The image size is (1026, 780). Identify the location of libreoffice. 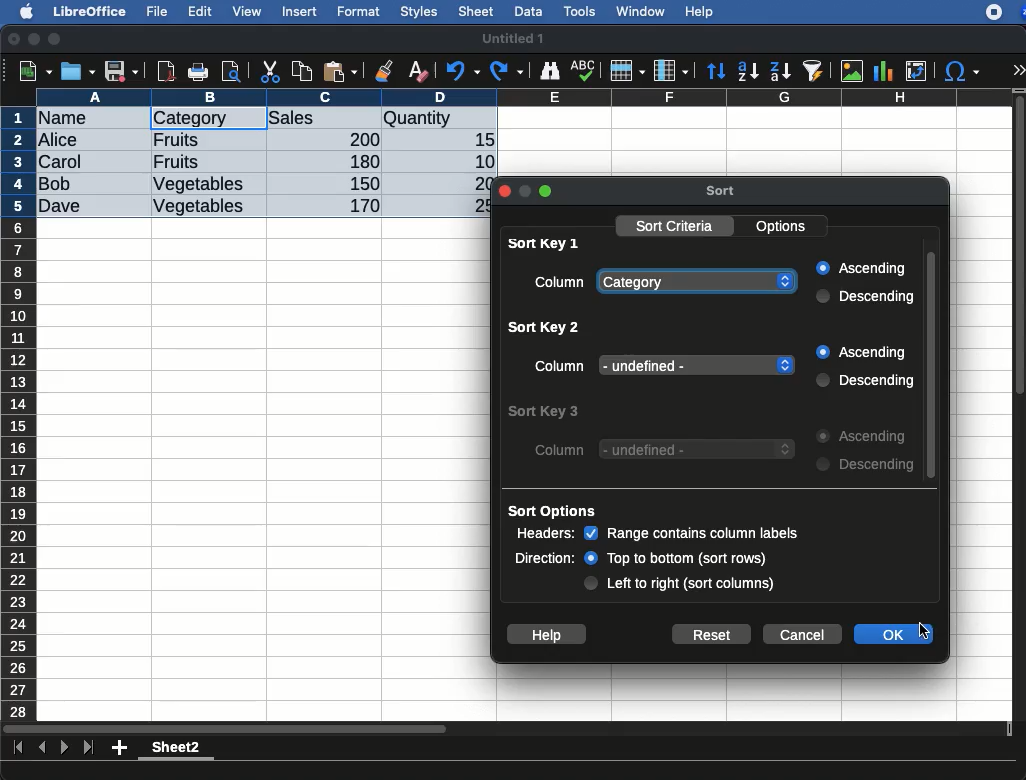
(91, 11).